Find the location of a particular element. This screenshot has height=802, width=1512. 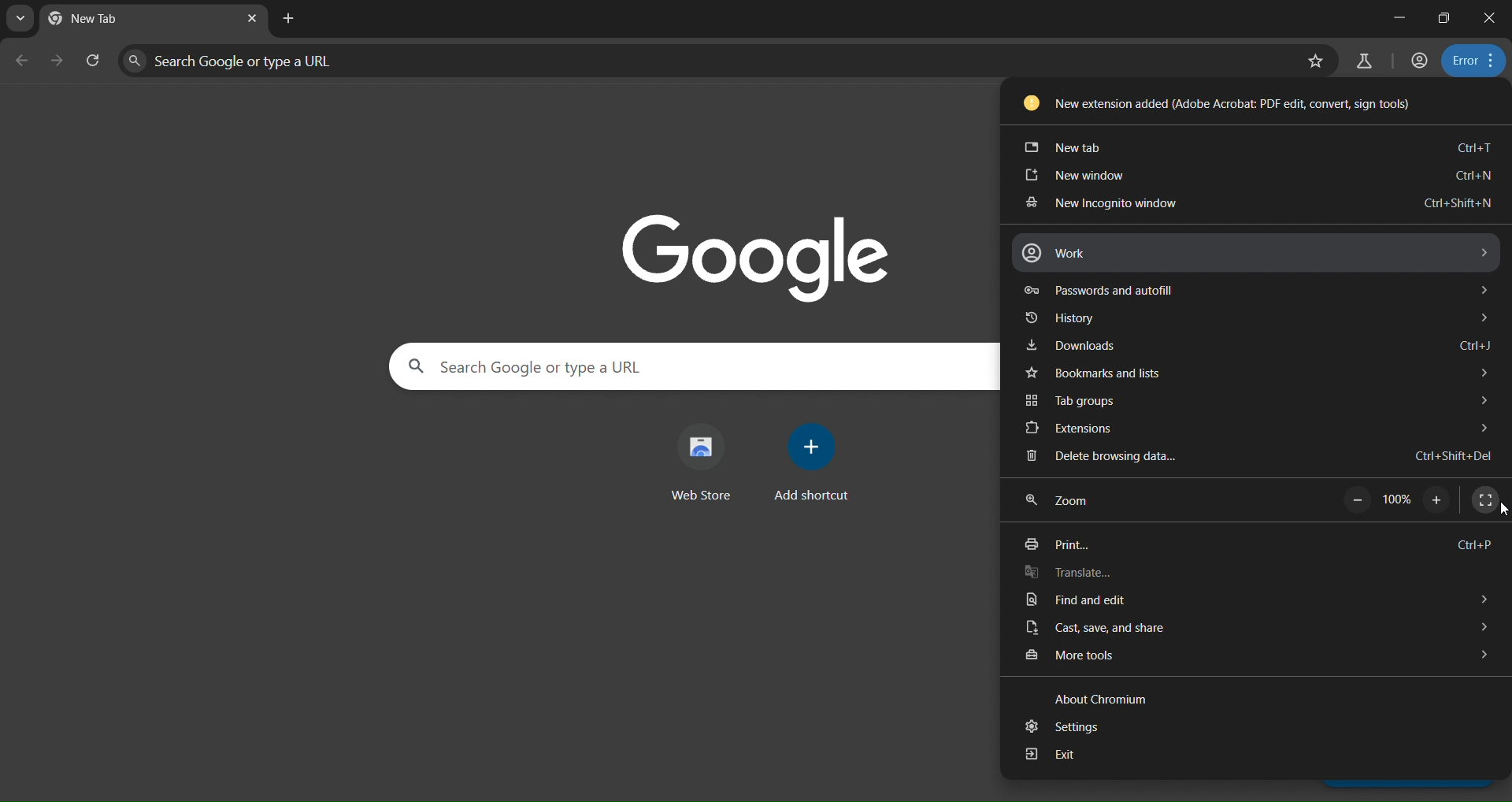

account is located at coordinates (1418, 60).